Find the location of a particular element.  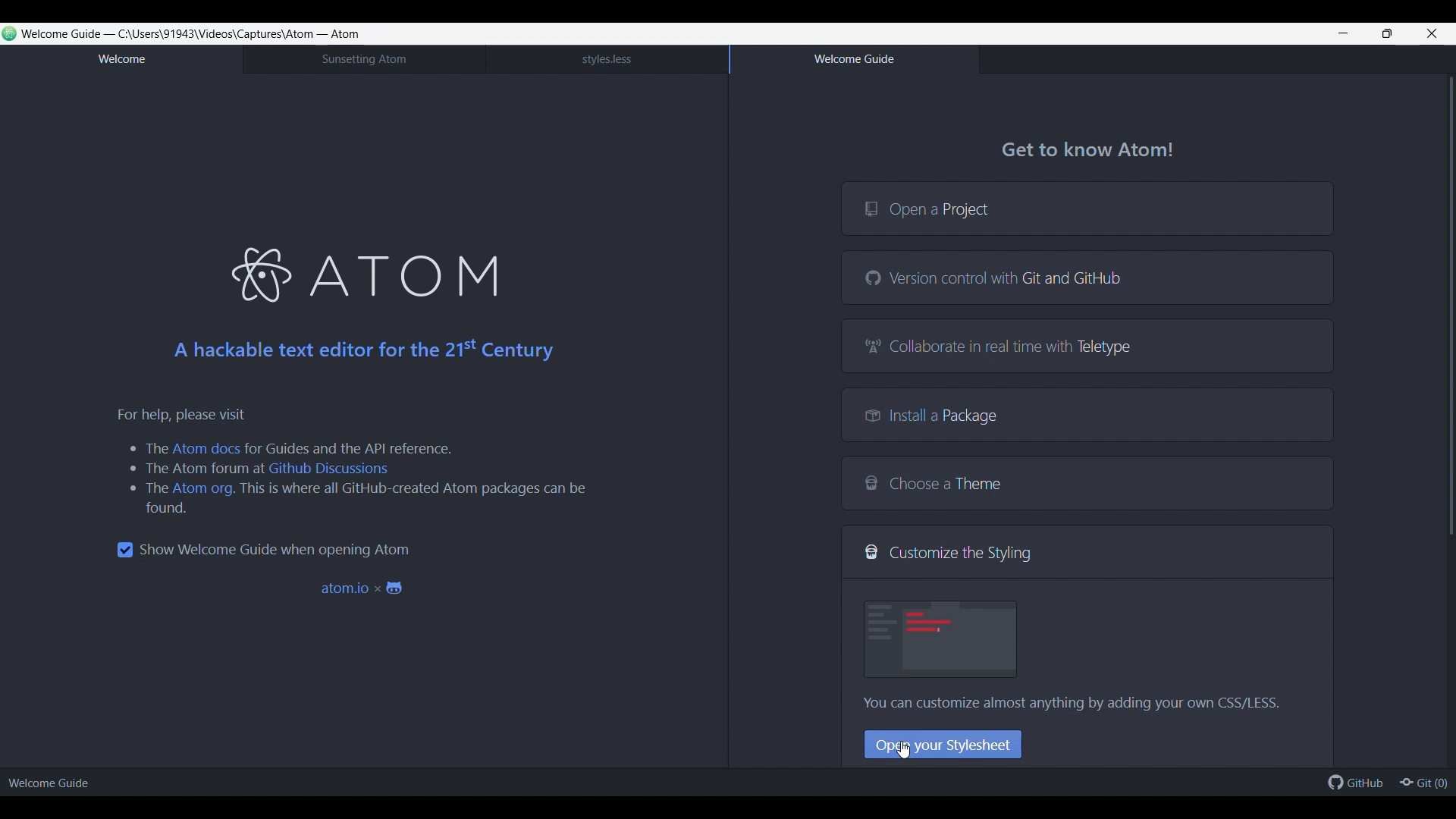

for Guides and the API reference. is located at coordinates (353, 447).